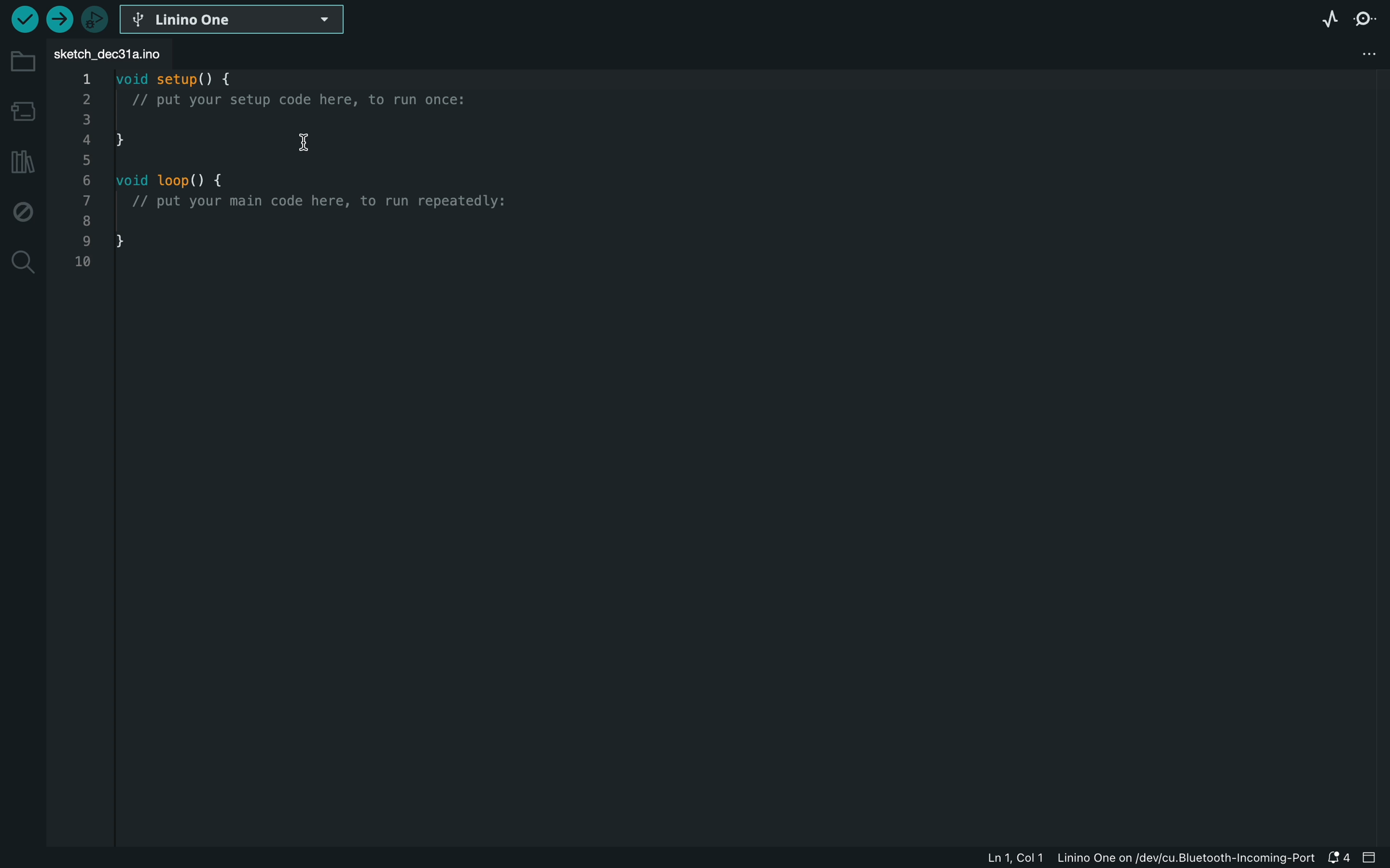 The width and height of the screenshot is (1390, 868). I want to click on file tab, so click(132, 57).